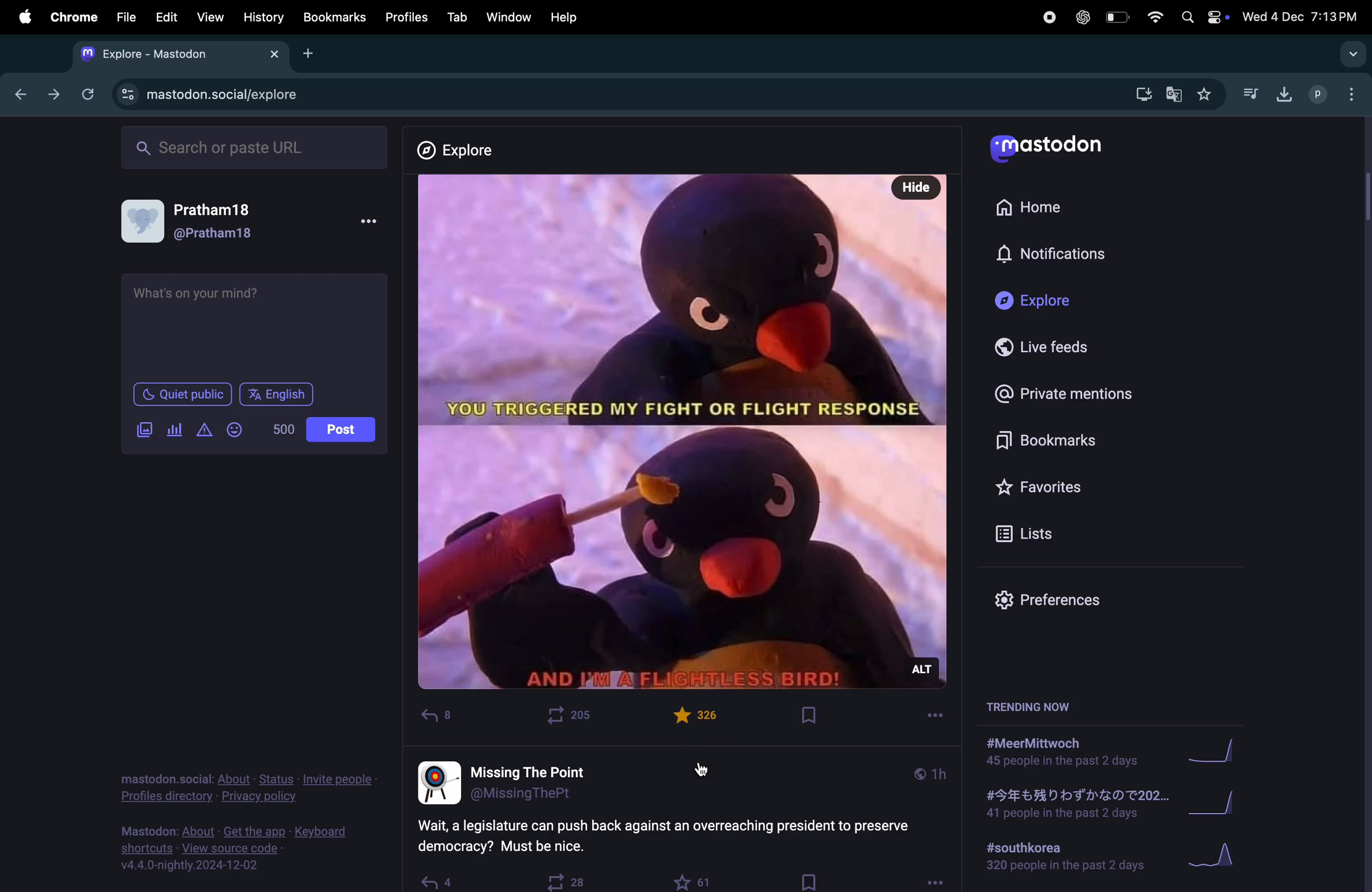  Describe the element at coordinates (175, 429) in the screenshot. I see `poll` at that location.